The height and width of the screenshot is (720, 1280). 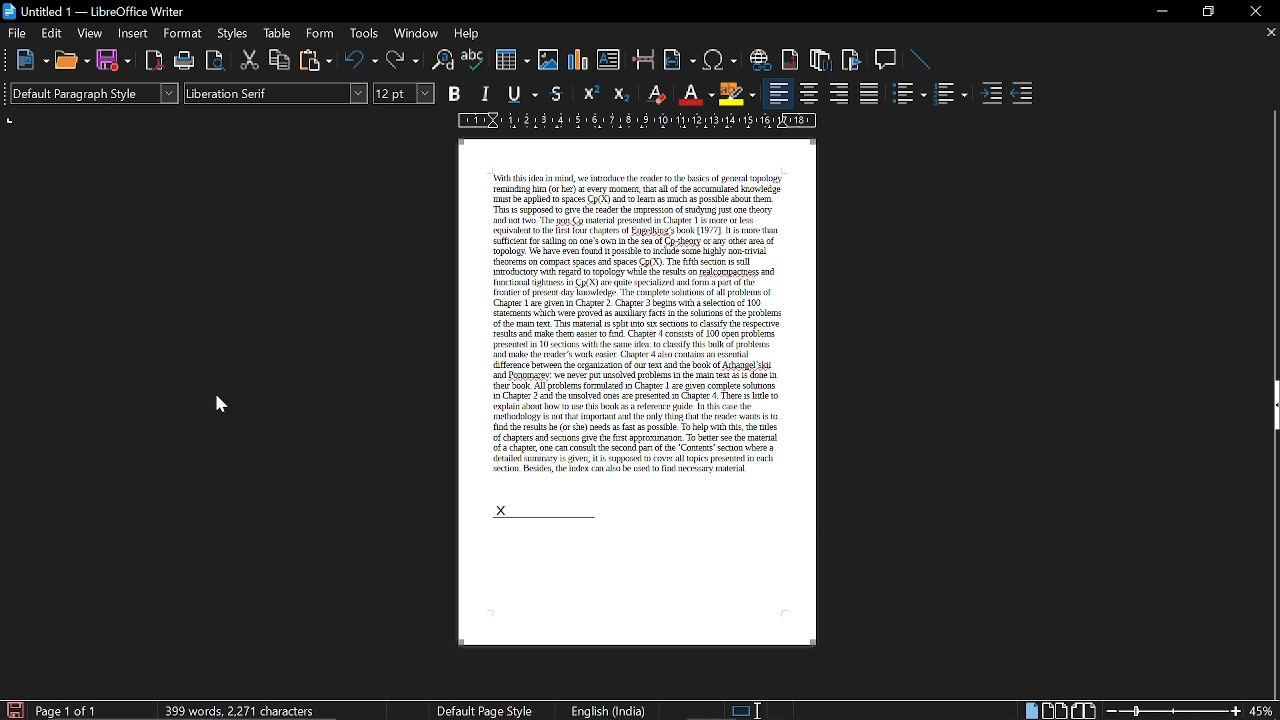 What do you see at coordinates (456, 93) in the screenshot?
I see `bold` at bounding box center [456, 93].